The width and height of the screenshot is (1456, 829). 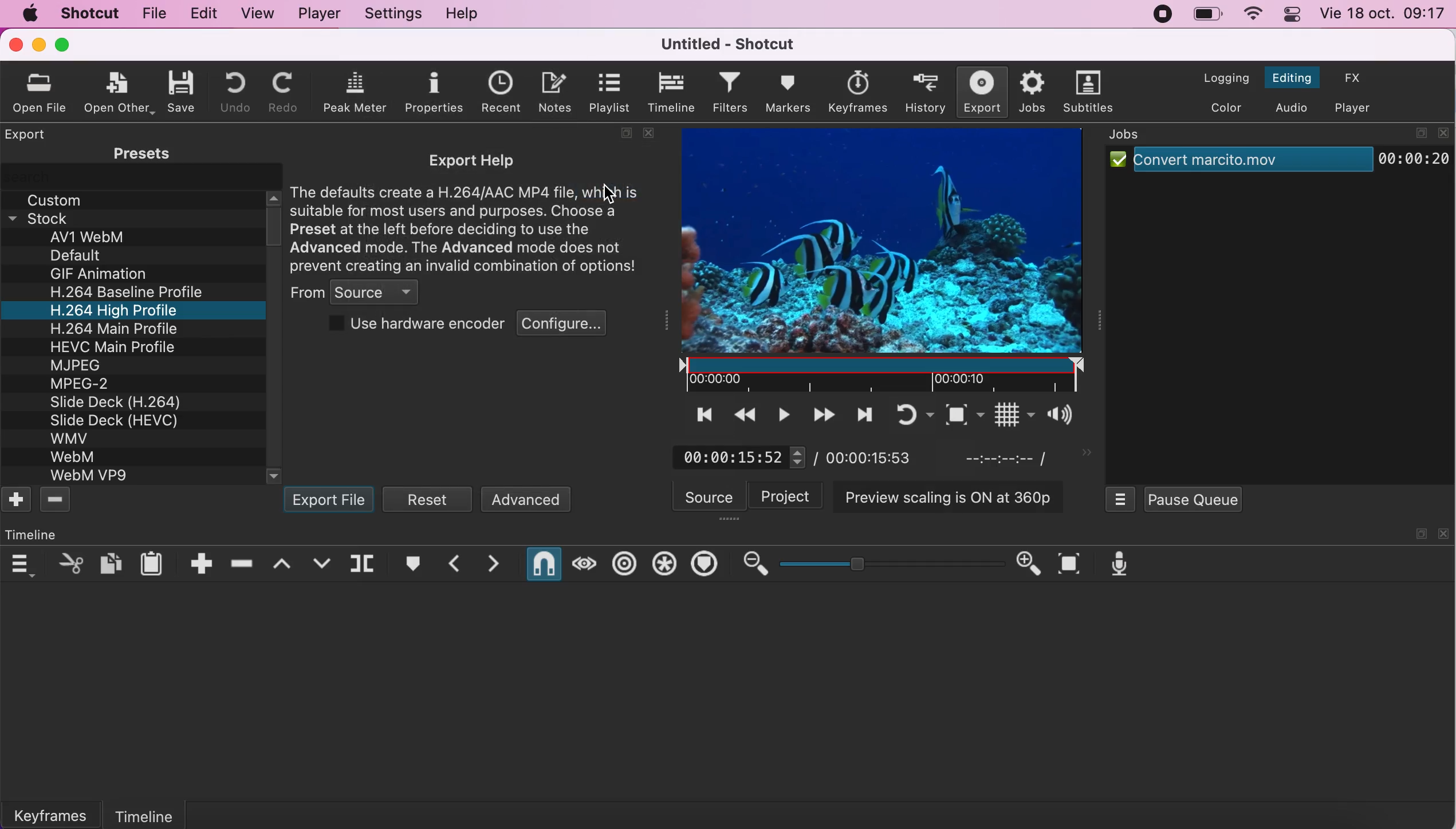 I want to click on cursor, so click(x=603, y=194).